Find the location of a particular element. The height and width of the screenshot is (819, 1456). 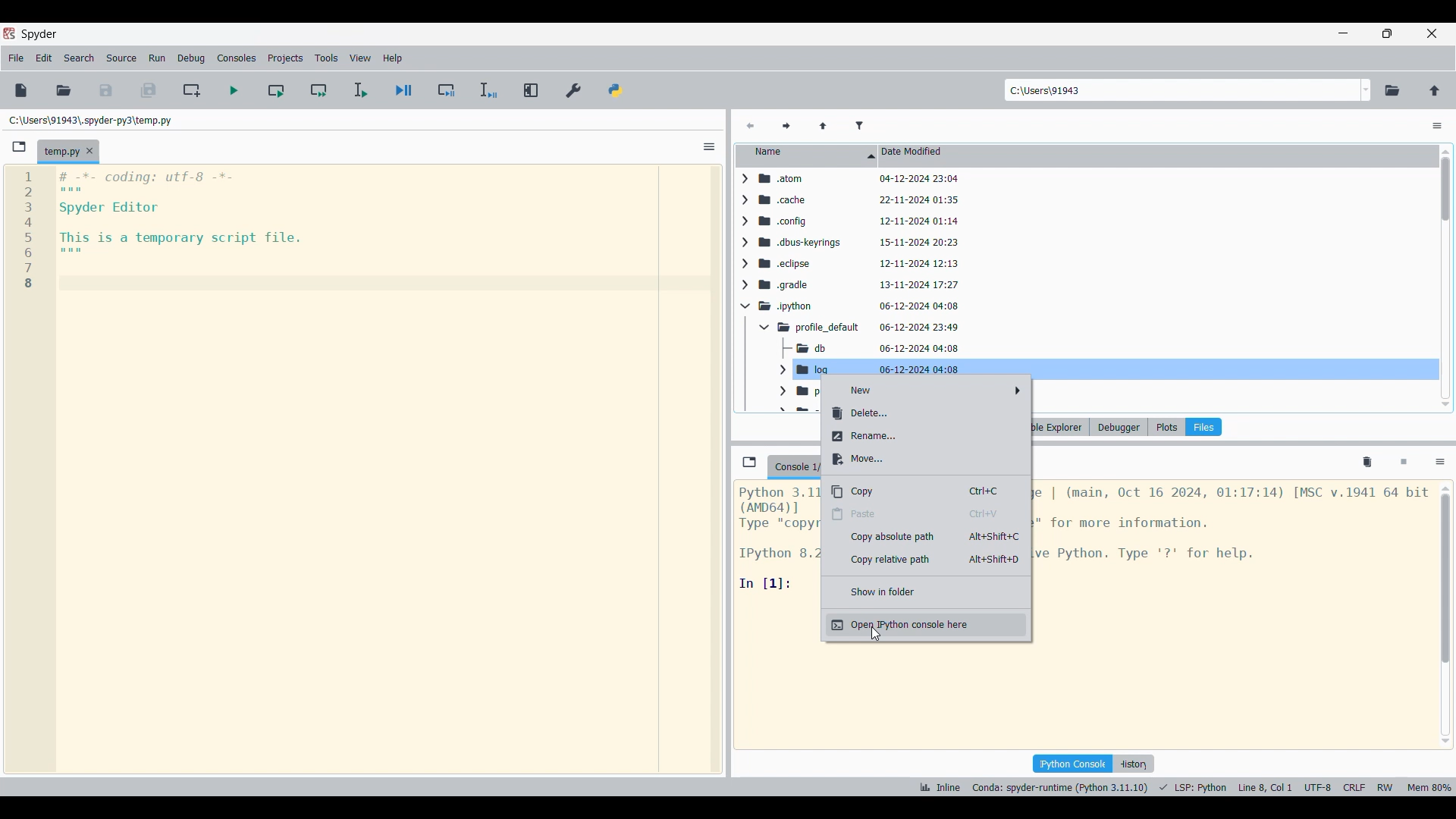

History is located at coordinates (1133, 764).